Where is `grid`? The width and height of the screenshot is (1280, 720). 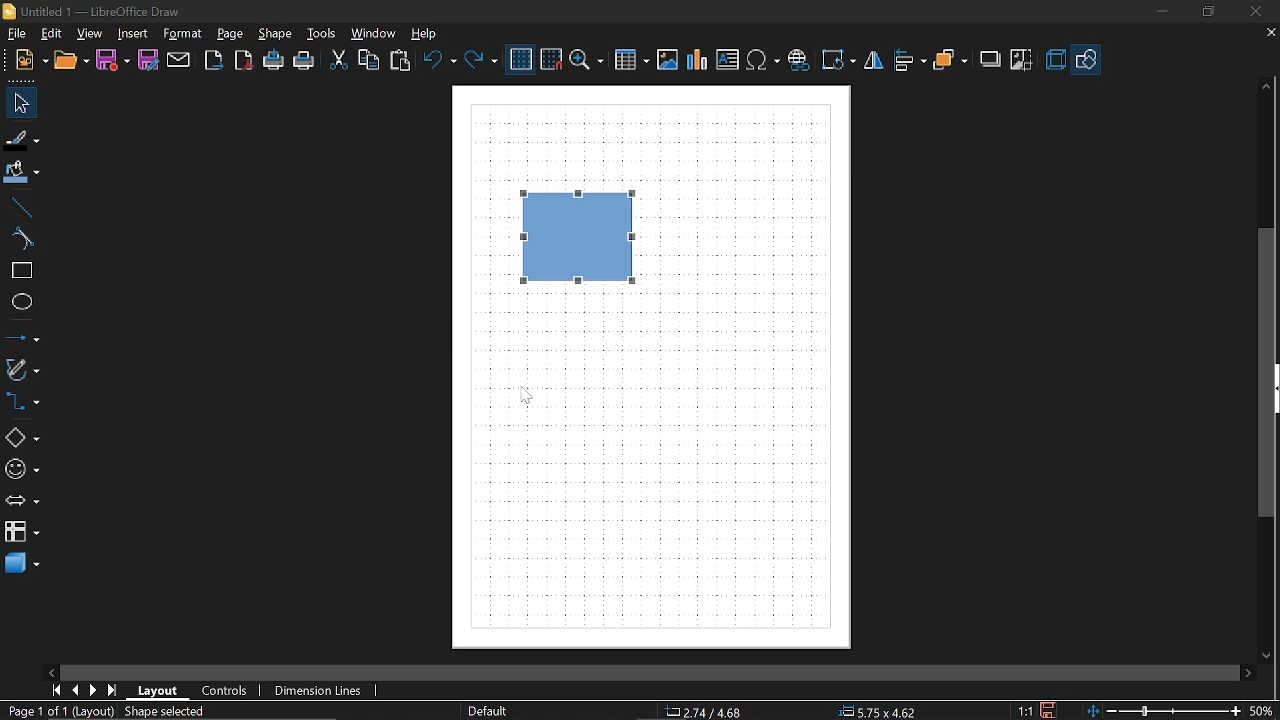 grid is located at coordinates (521, 60).